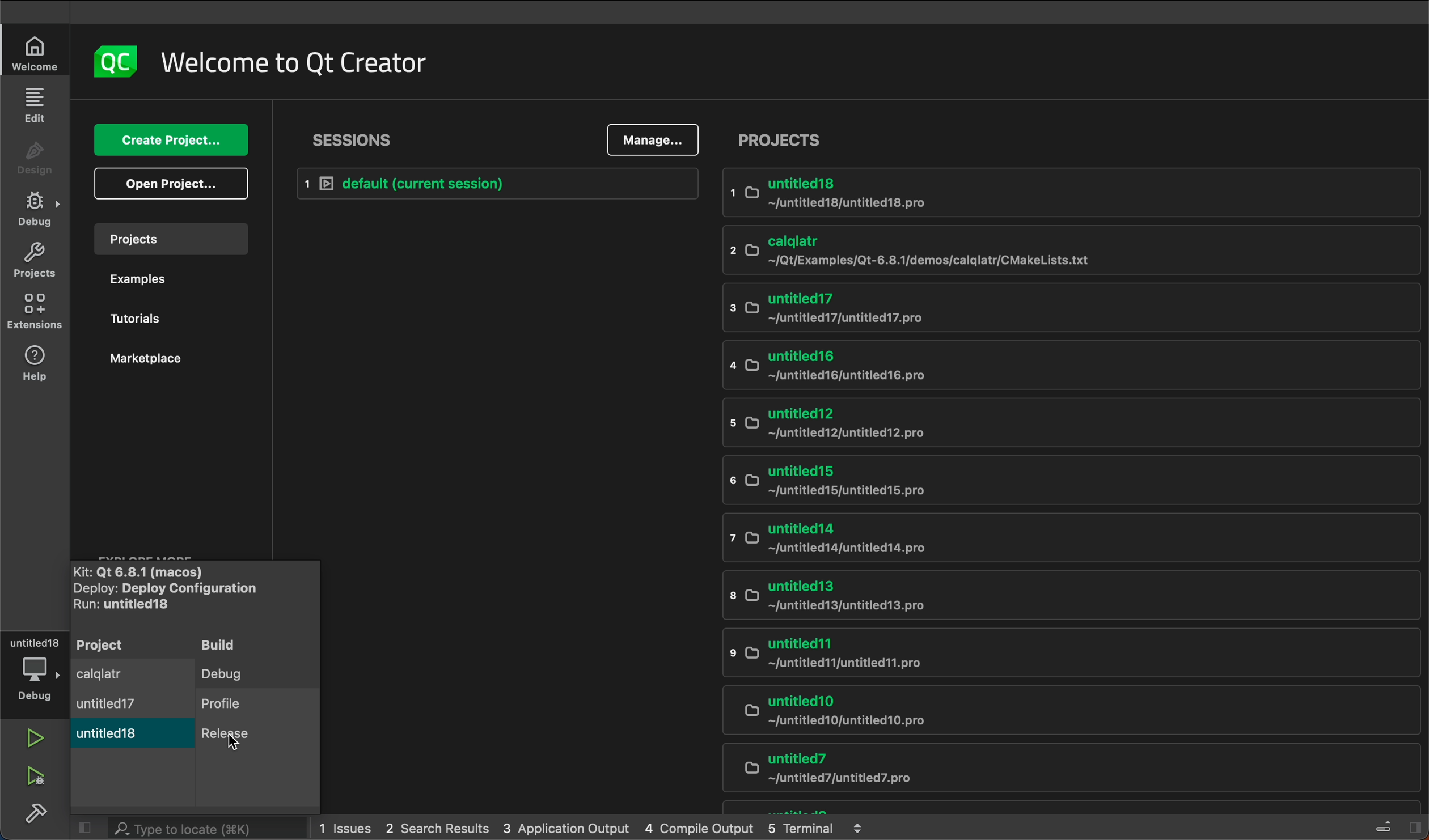  Describe the element at coordinates (35, 812) in the screenshot. I see `build` at that location.